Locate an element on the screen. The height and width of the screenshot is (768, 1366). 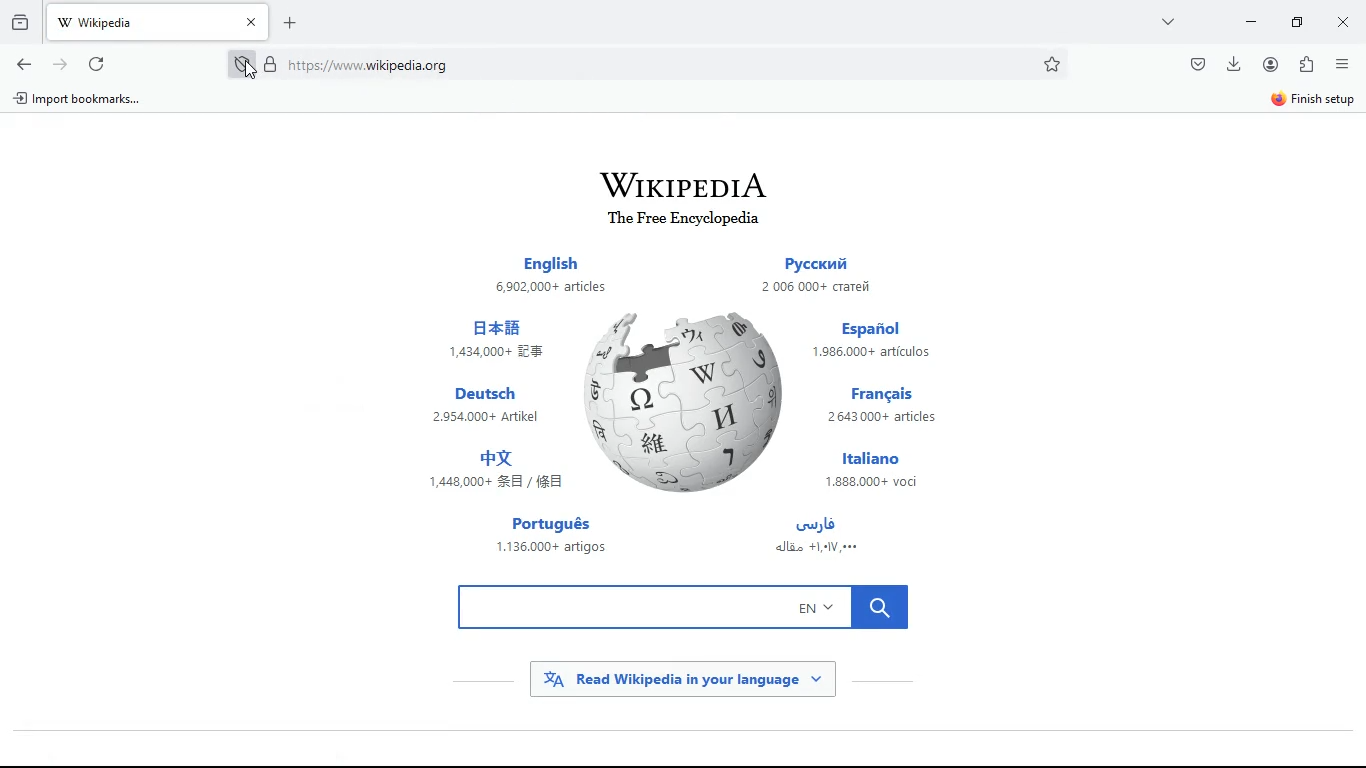
pocket is located at coordinates (1196, 64).